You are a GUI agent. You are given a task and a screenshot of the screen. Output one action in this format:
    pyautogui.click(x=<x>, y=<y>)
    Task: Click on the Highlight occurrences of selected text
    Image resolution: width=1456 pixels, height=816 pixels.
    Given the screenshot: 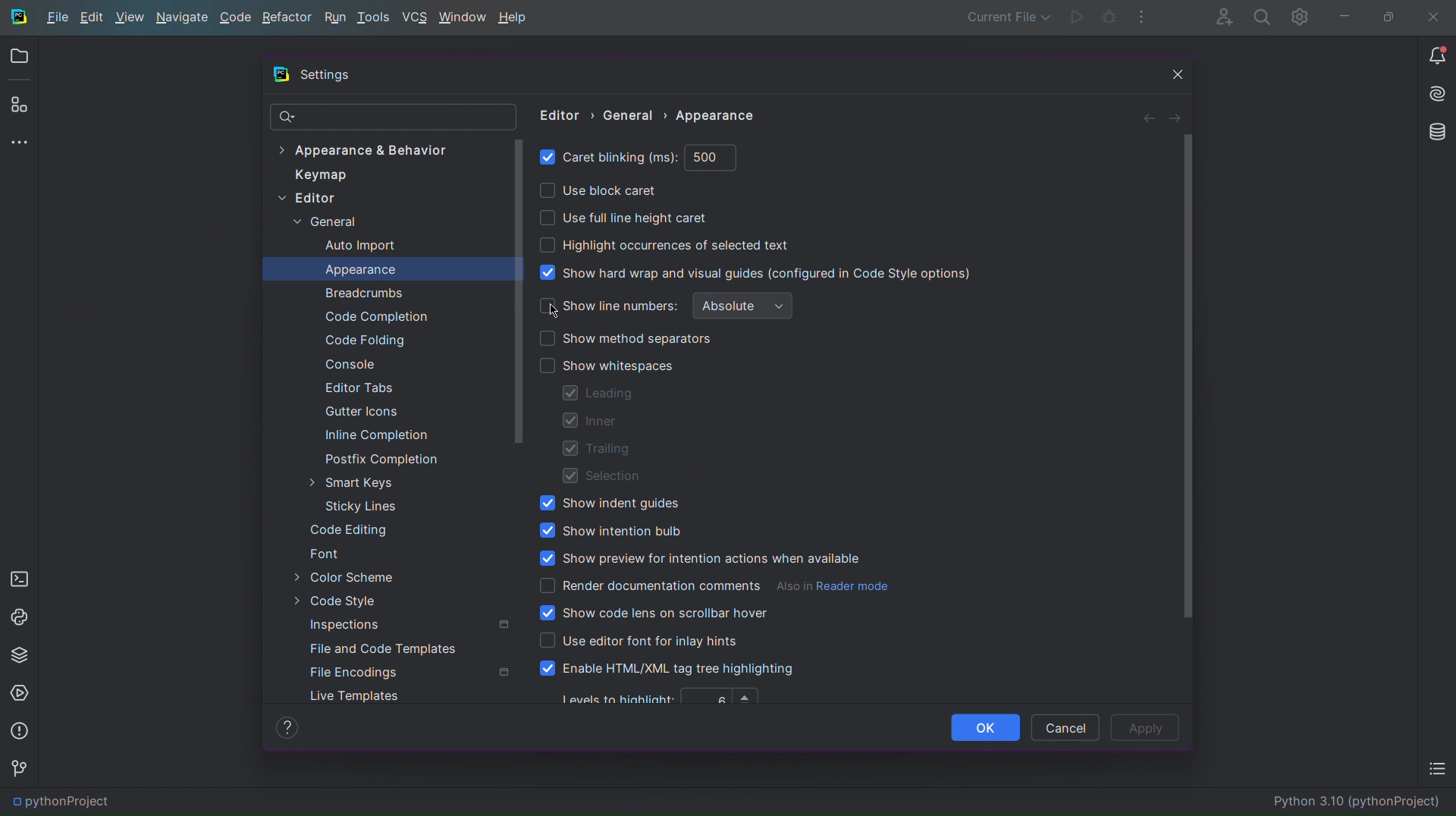 What is the action you would take?
    pyautogui.click(x=668, y=245)
    